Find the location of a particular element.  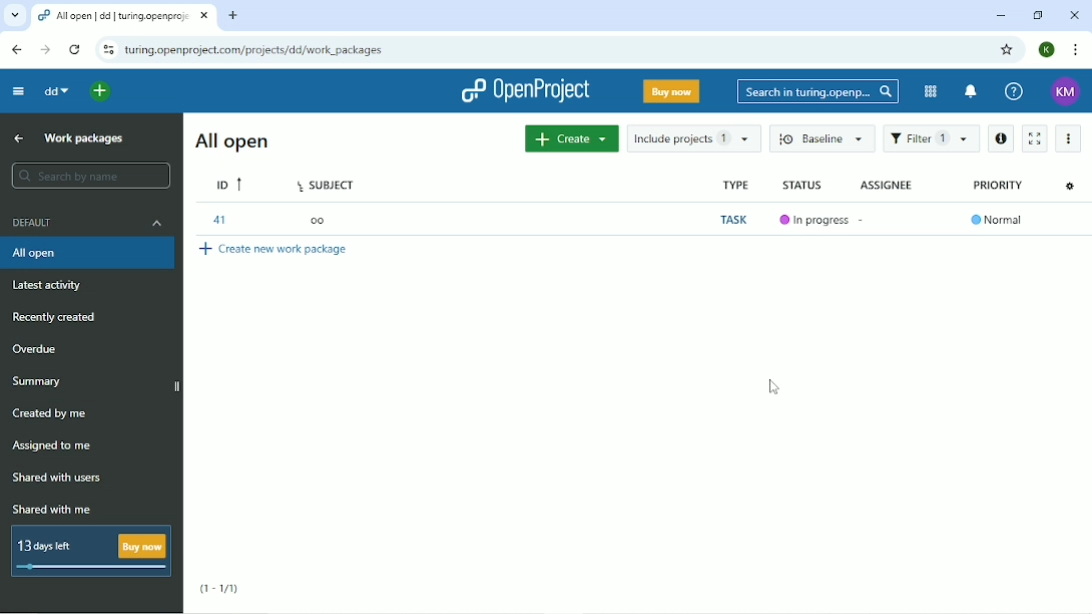

Bookmark this tab is located at coordinates (1007, 50).